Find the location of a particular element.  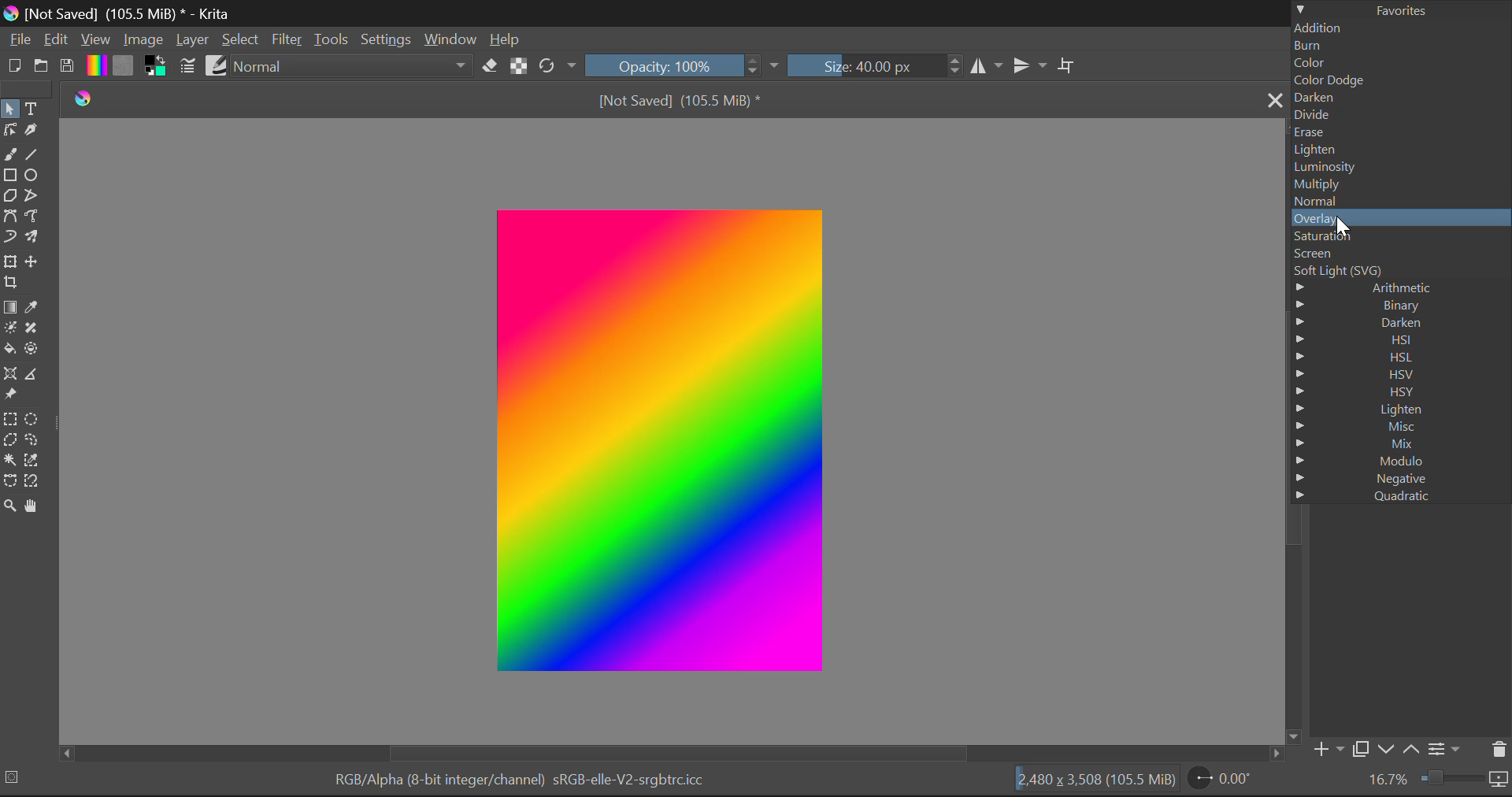

Help is located at coordinates (506, 40).